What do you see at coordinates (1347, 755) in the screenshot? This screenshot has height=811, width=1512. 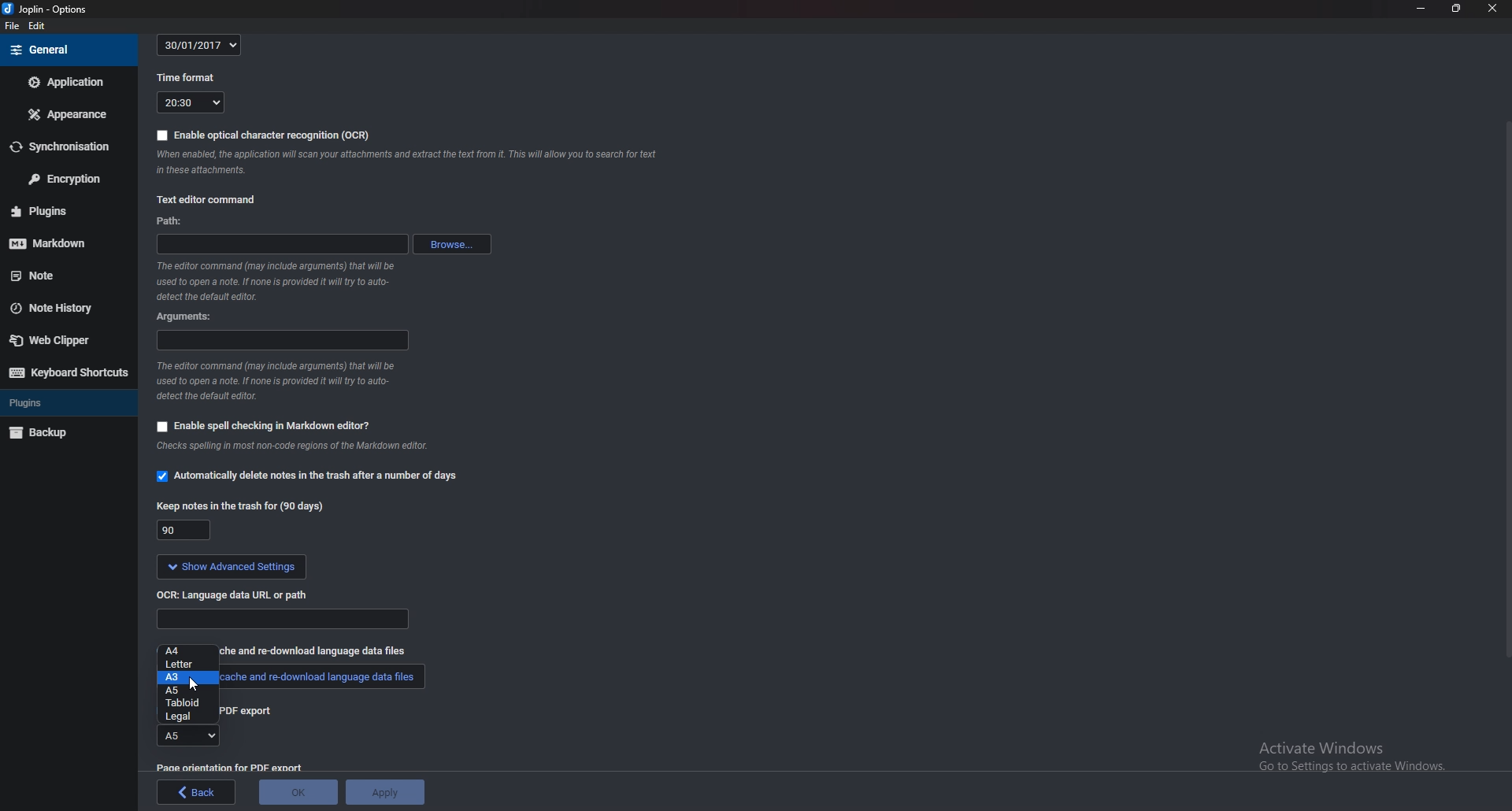 I see `activate windows` at bounding box center [1347, 755].